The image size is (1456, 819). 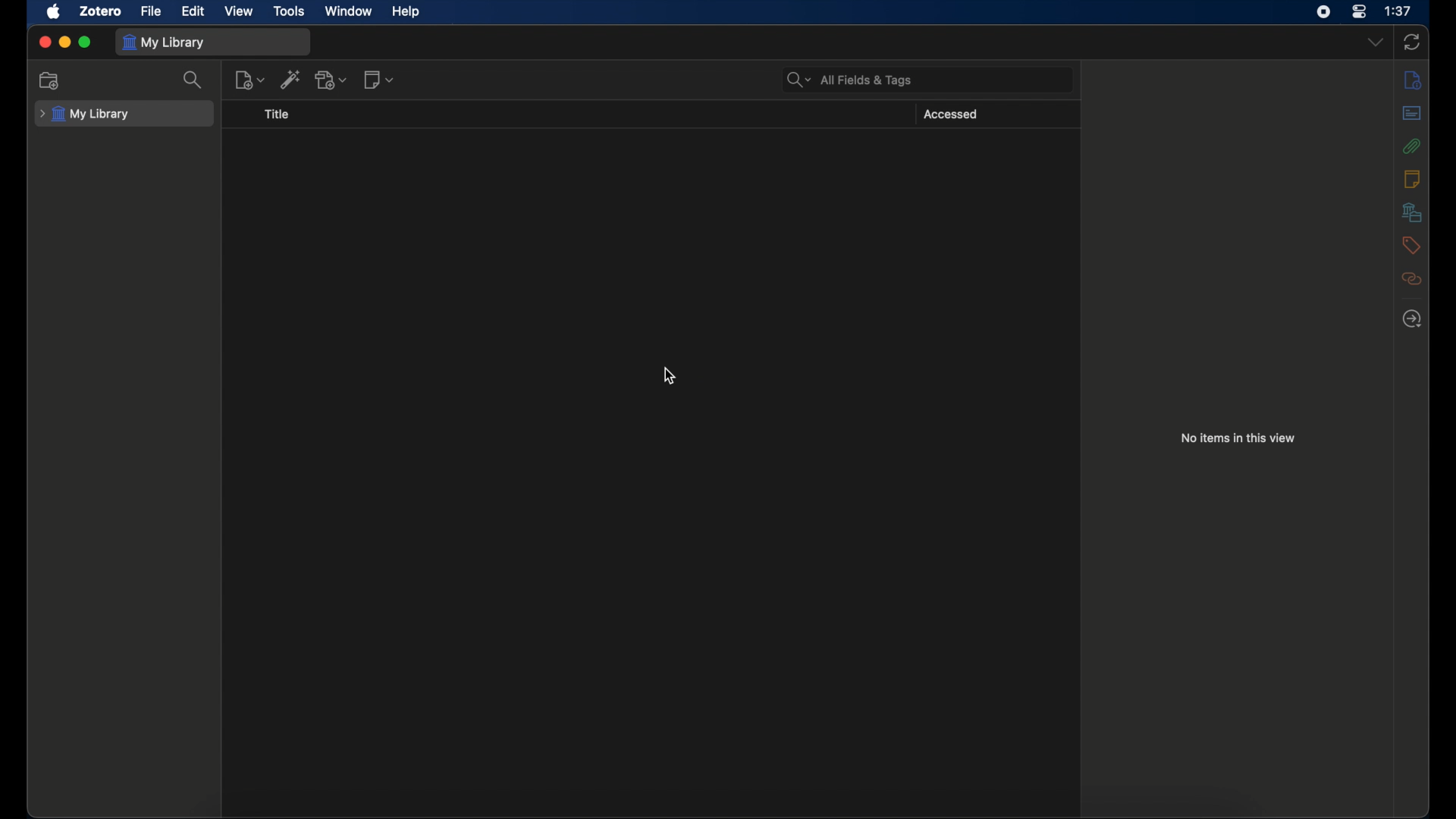 I want to click on close, so click(x=42, y=42).